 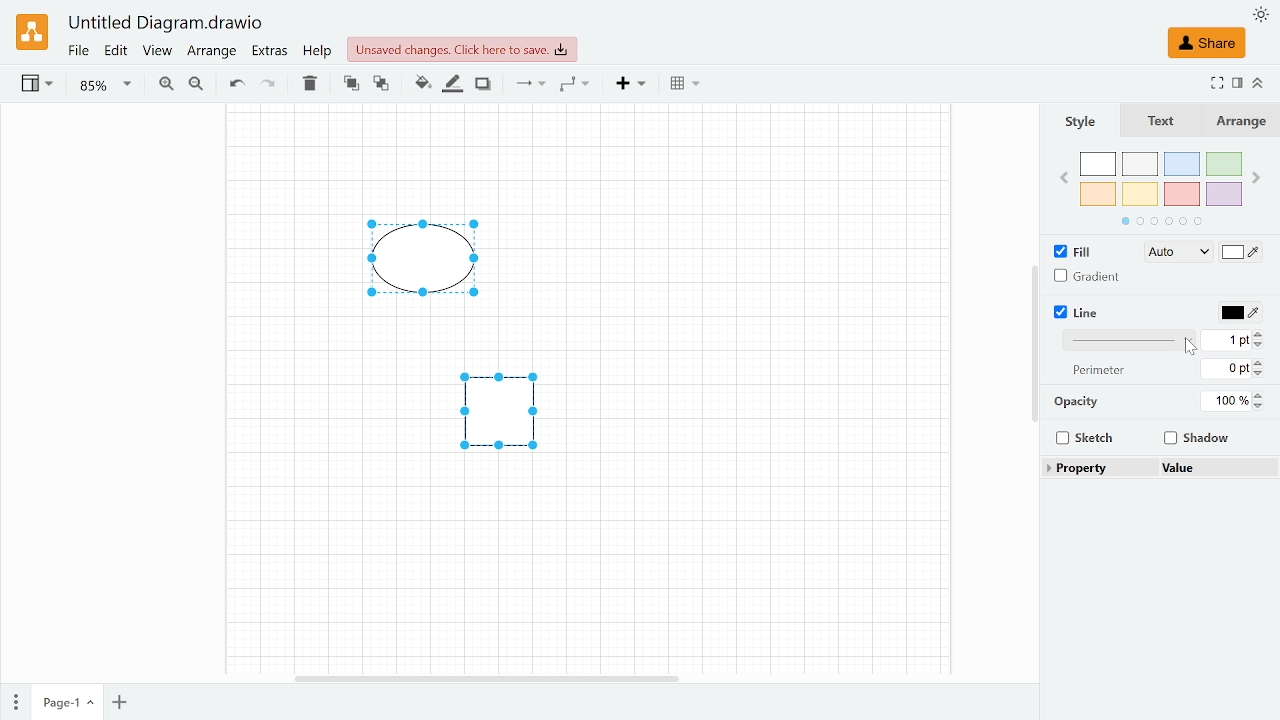 What do you see at coordinates (1206, 43) in the screenshot?
I see `Share` at bounding box center [1206, 43].